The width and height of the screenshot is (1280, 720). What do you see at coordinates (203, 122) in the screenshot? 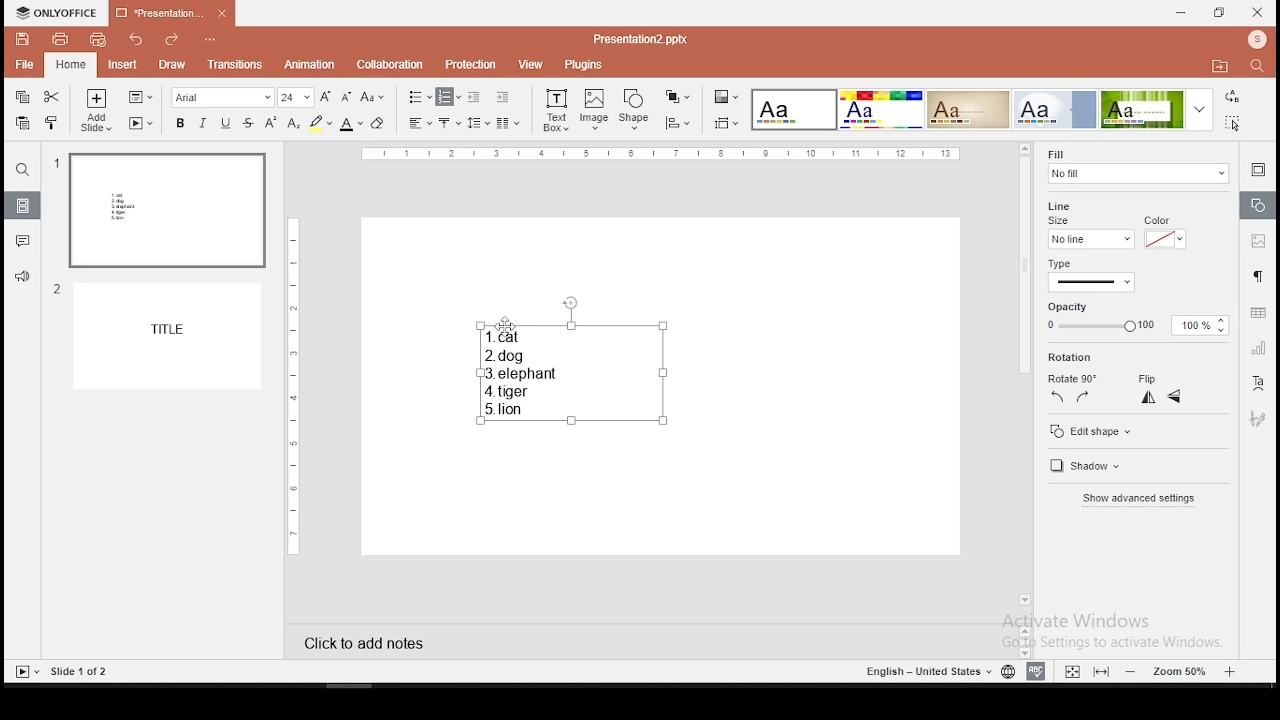
I see `italics` at bounding box center [203, 122].